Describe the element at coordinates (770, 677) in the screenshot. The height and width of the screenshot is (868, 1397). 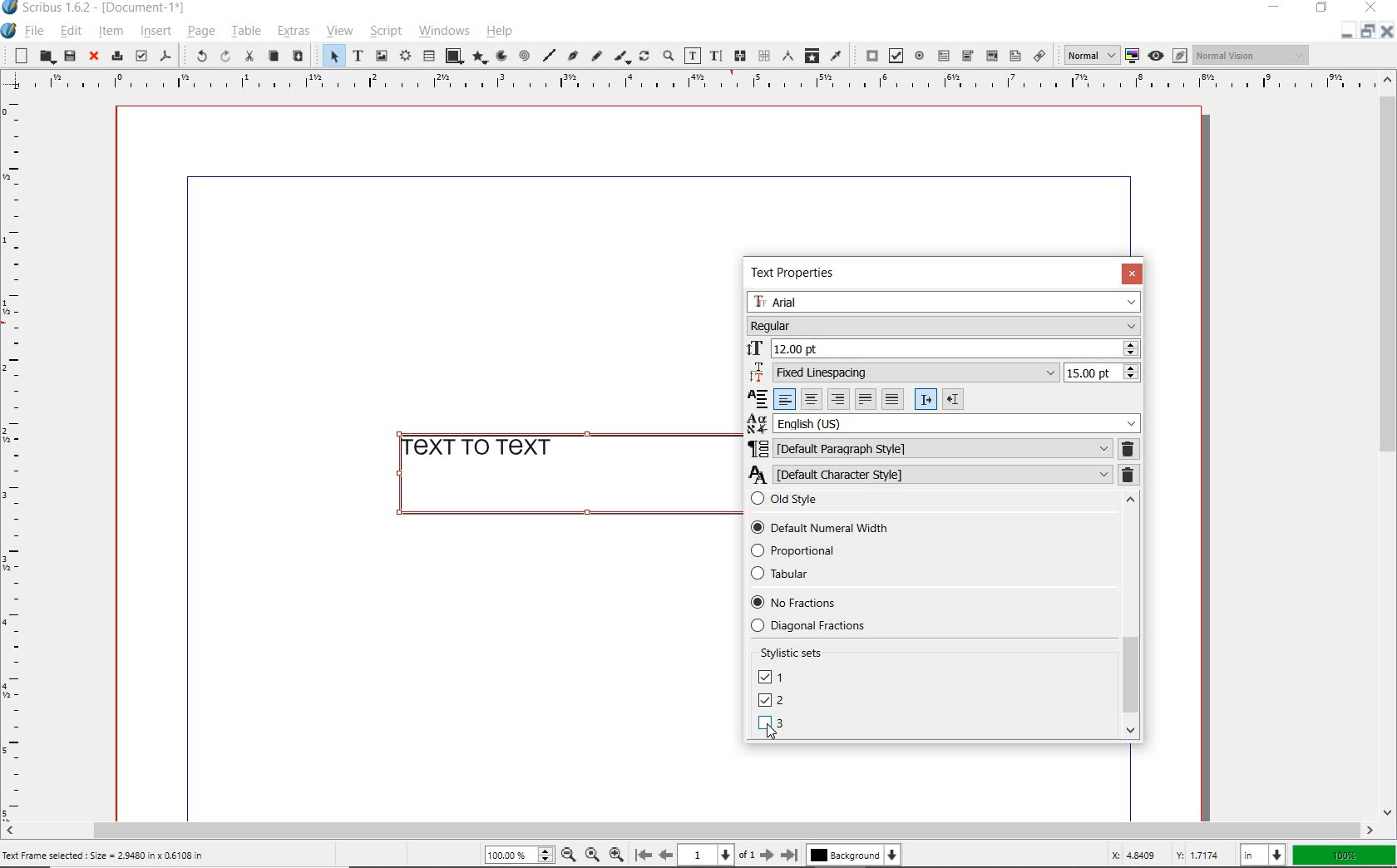
I see `UNICASE` at that location.